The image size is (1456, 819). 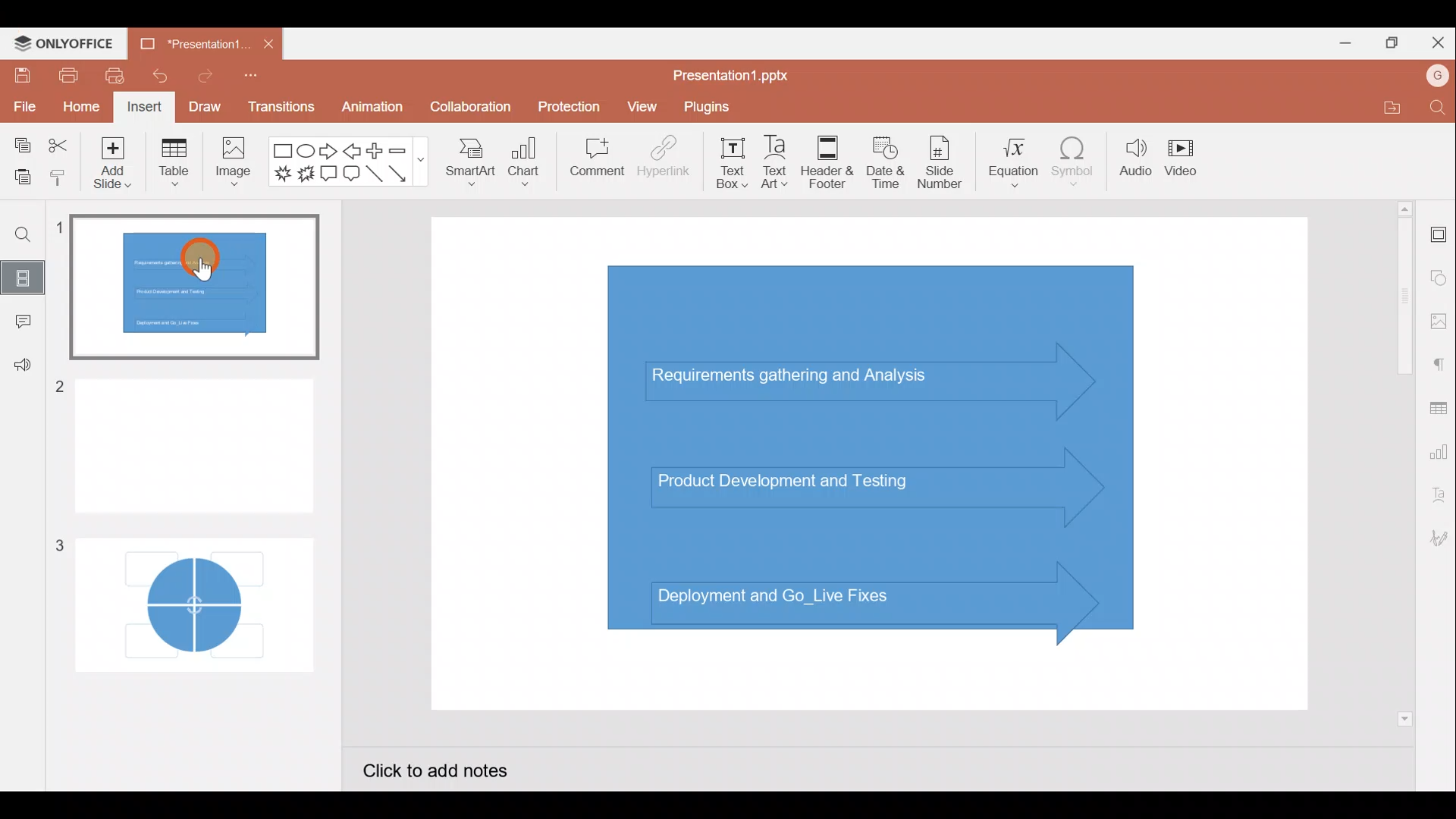 I want to click on Slide 1, so click(x=201, y=288).